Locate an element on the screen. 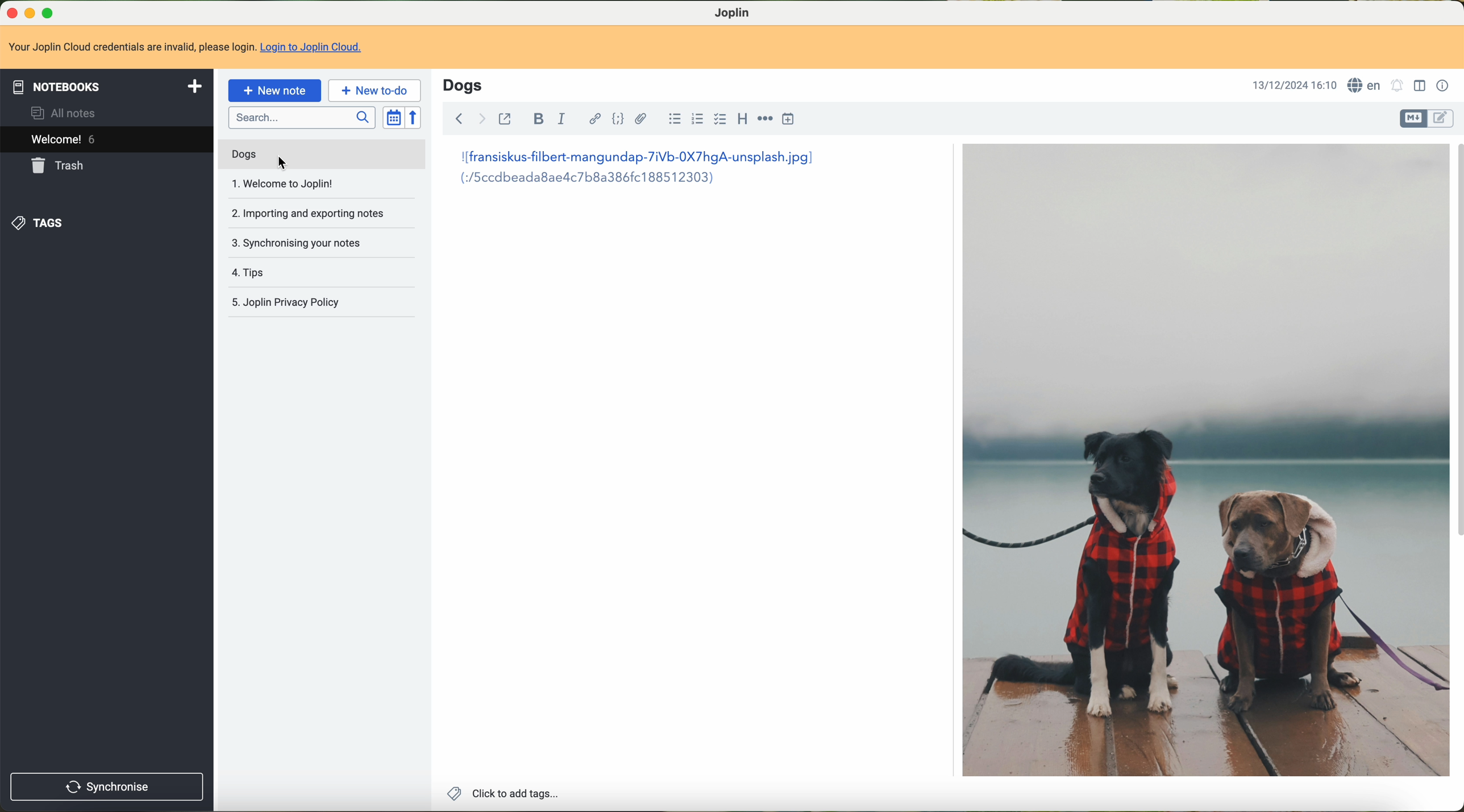 The width and height of the screenshot is (1464, 812). navigate foward arrow is located at coordinates (480, 118).